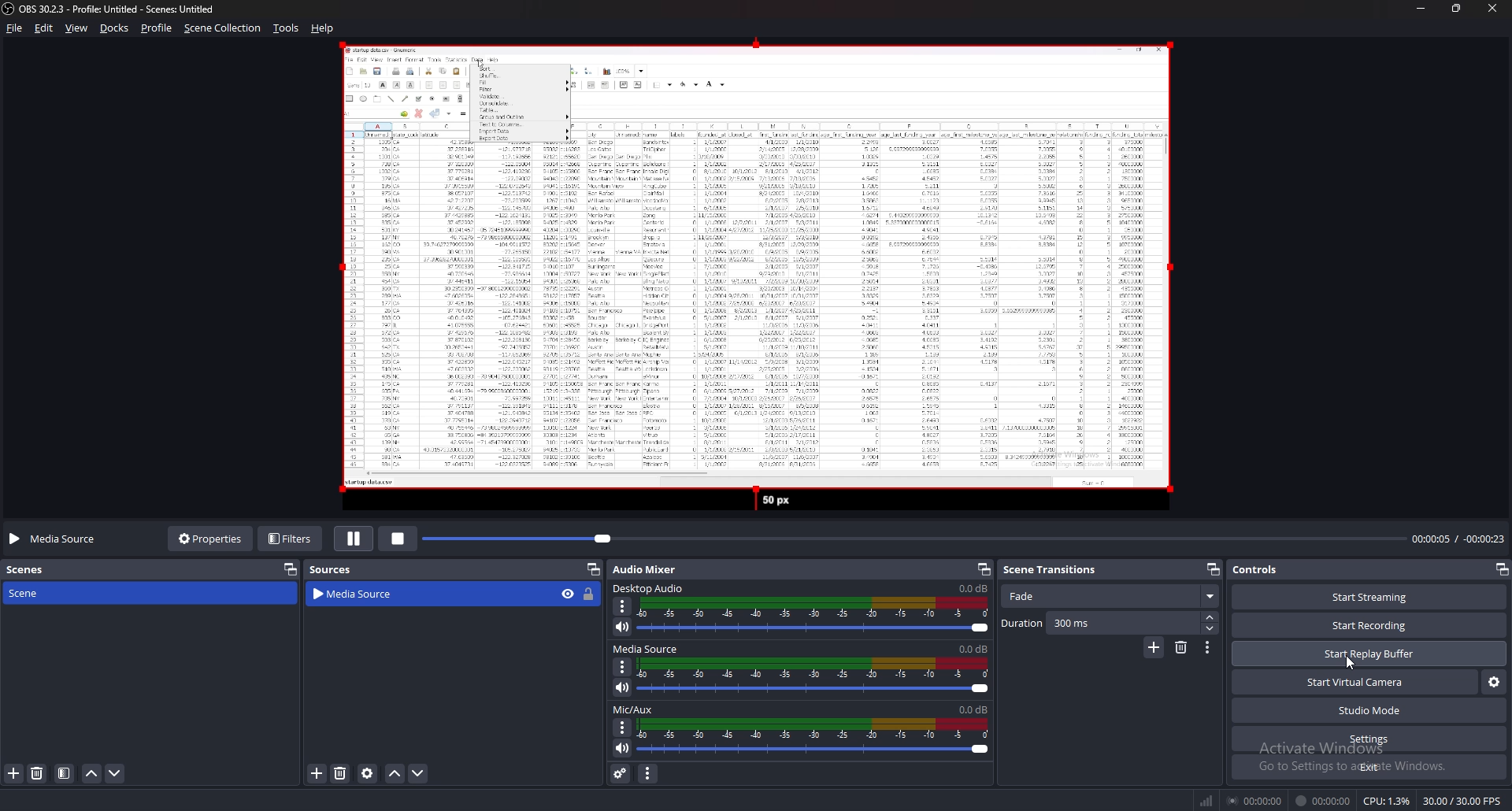 The width and height of the screenshot is (1512, 811). Describe the element at coordinates (1370, 653) in the screenshot. I see `start replay buffer` at that location.